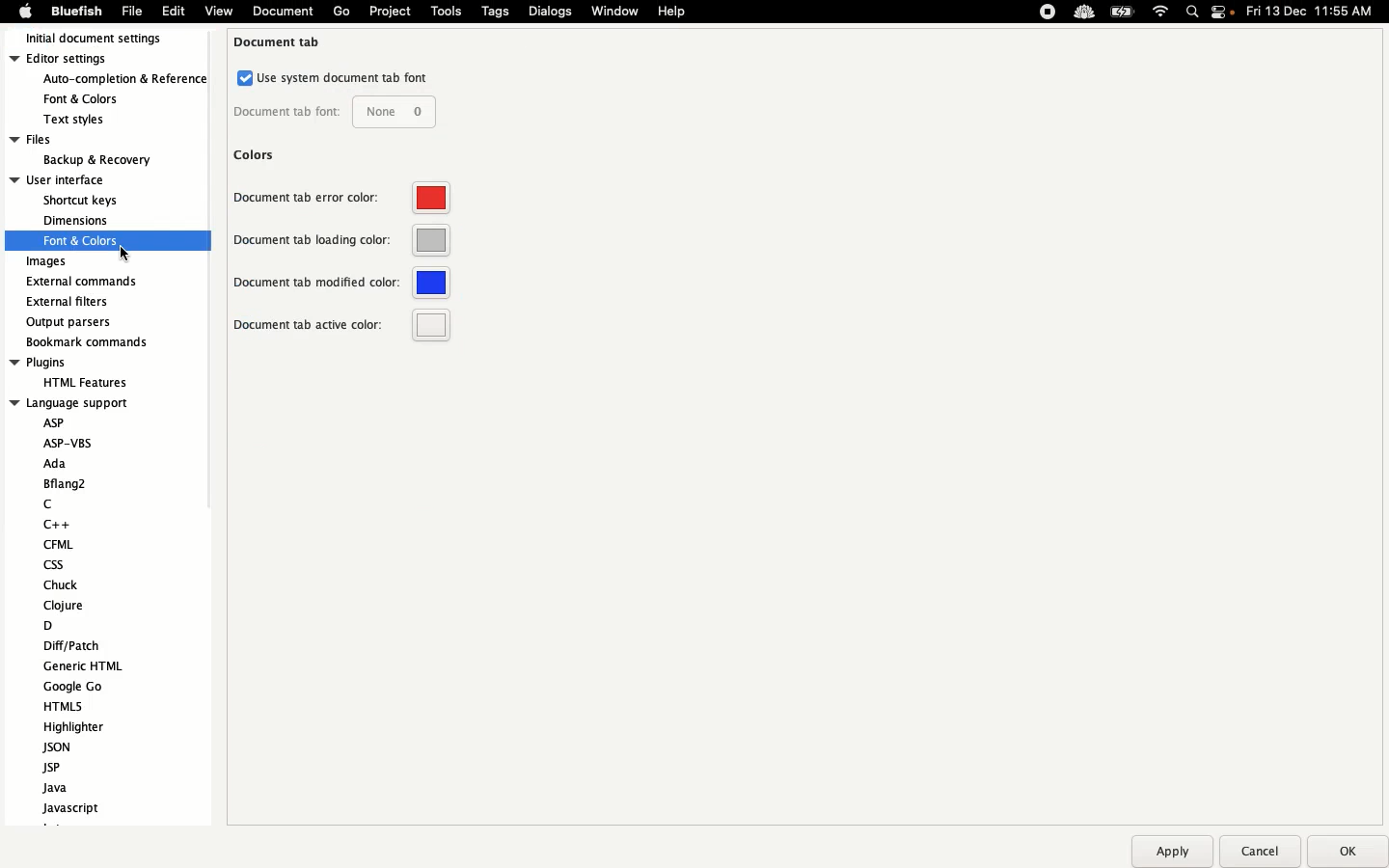 The image size is (1389, 868). What do you see at coordinates (73, 322) in the screenshot?
I see `Output parsers` at bounding box center [73, 322].